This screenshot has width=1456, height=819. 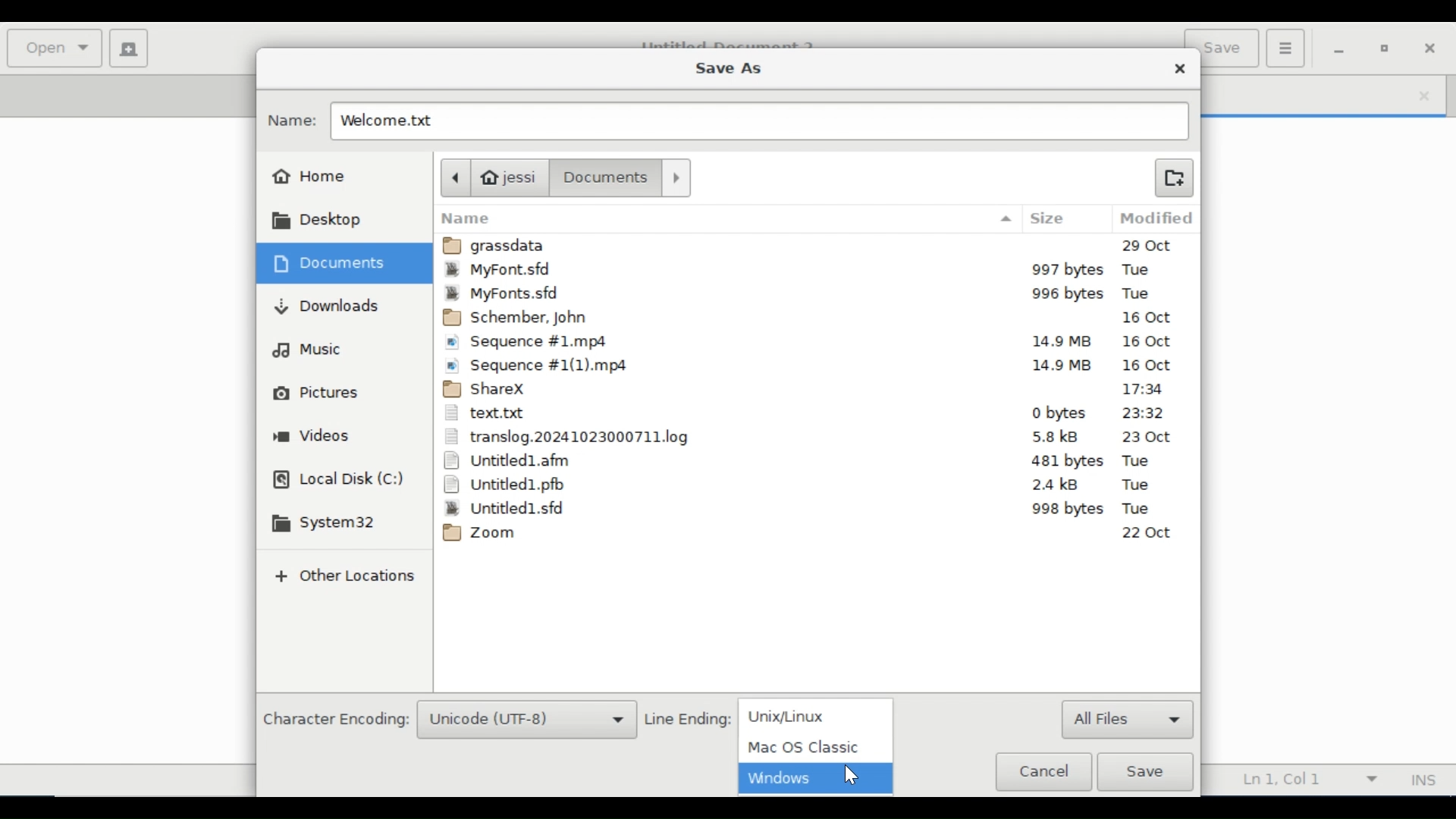 What do you see at coordinates (810, 508) in the screenshot?
I see `Untitled1.sfd` at bounding box center [810, 508].